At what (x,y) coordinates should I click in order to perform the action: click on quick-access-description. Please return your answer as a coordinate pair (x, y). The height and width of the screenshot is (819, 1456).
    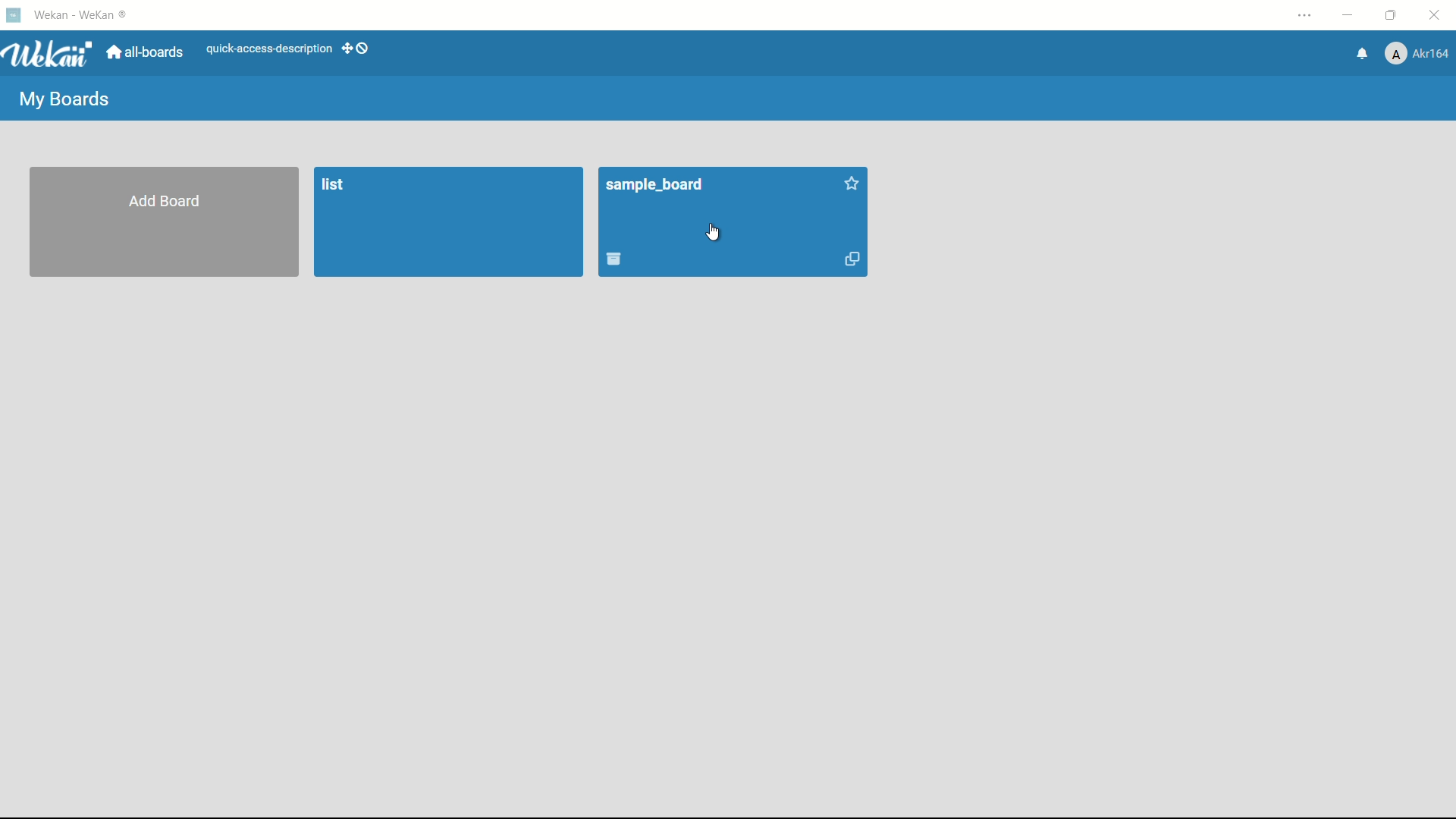
    Looking at the image, I should click on (270, 49).